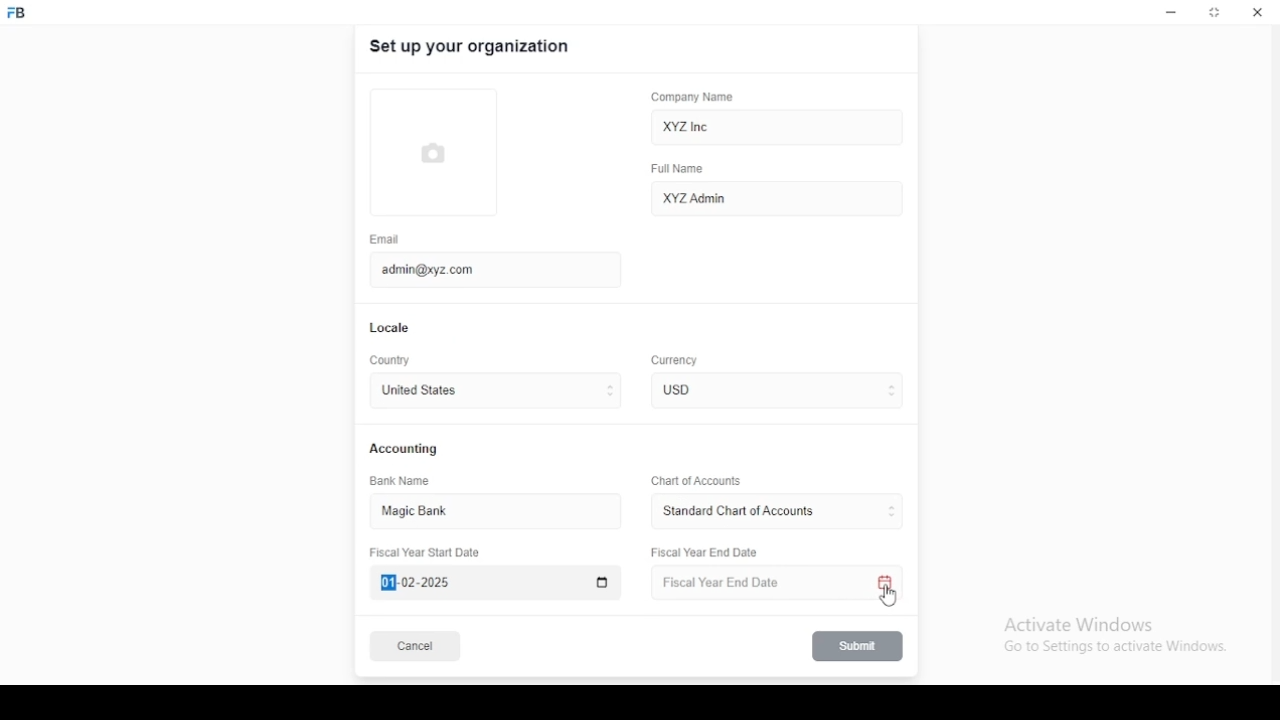  What do you see at coordinates (401, 481) in the screenshot?
I see `bank name` at bounding box center [401, 481].